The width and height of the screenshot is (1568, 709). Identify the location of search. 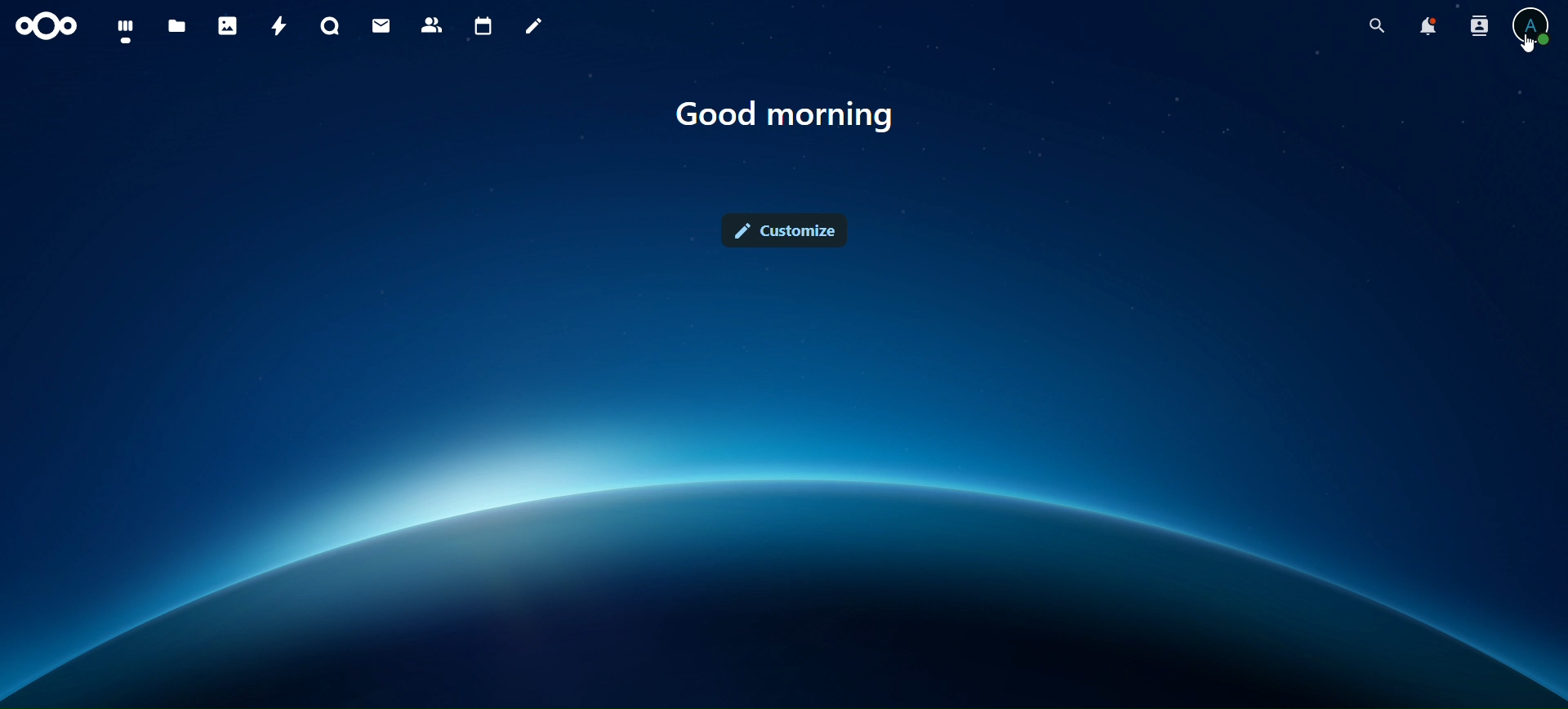
(1368, 25).